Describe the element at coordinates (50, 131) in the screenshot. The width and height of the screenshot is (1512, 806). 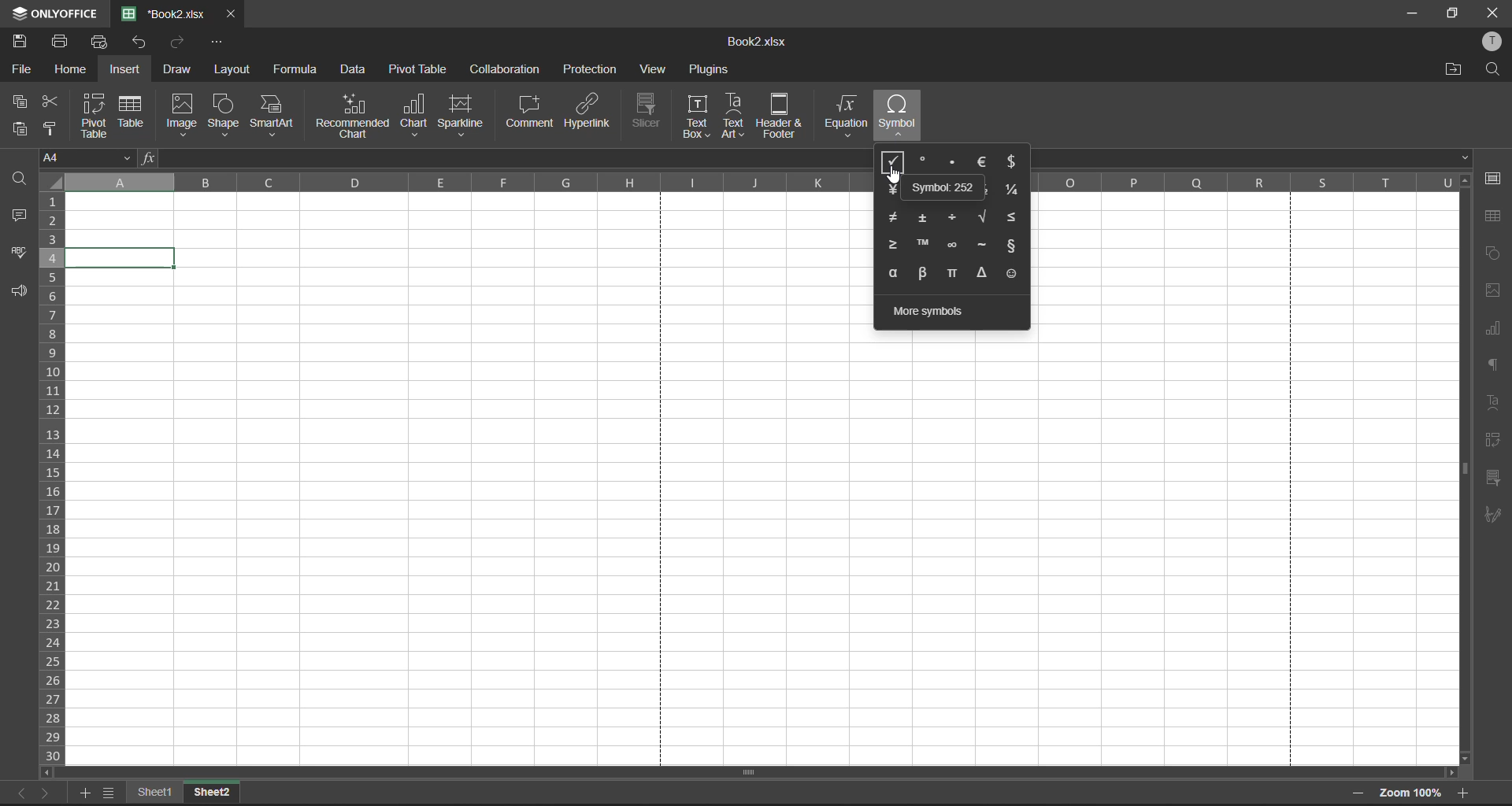
I see `copy style` at that location.